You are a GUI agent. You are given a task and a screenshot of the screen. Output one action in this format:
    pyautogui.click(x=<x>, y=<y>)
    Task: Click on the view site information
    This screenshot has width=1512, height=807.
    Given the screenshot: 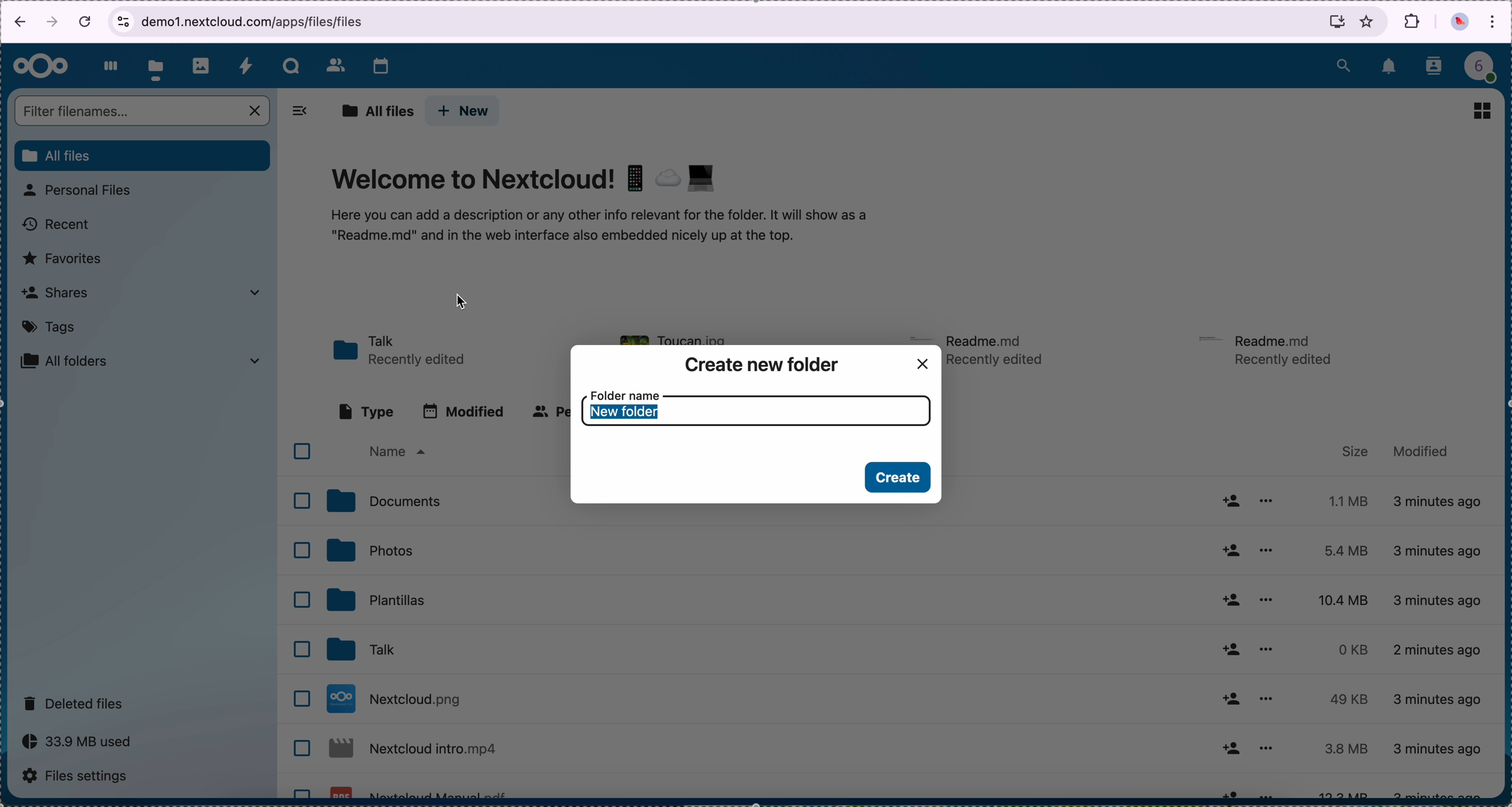 What is the action you would take?
    pyautogui.click(x=123, y=22)
    